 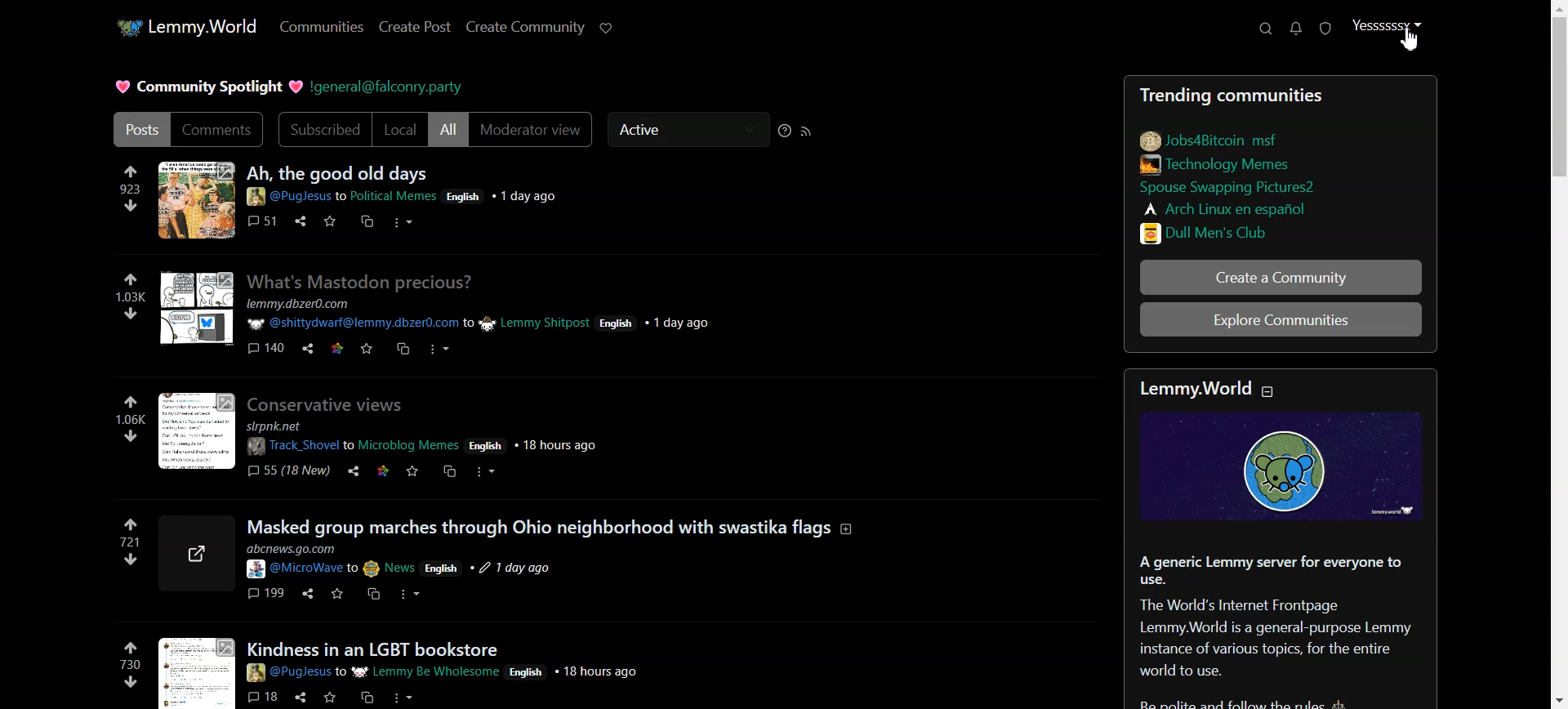 What do you see at coordinates (262, 697) in the screenshot?
I see `comments` at bounding box center [262, 697].